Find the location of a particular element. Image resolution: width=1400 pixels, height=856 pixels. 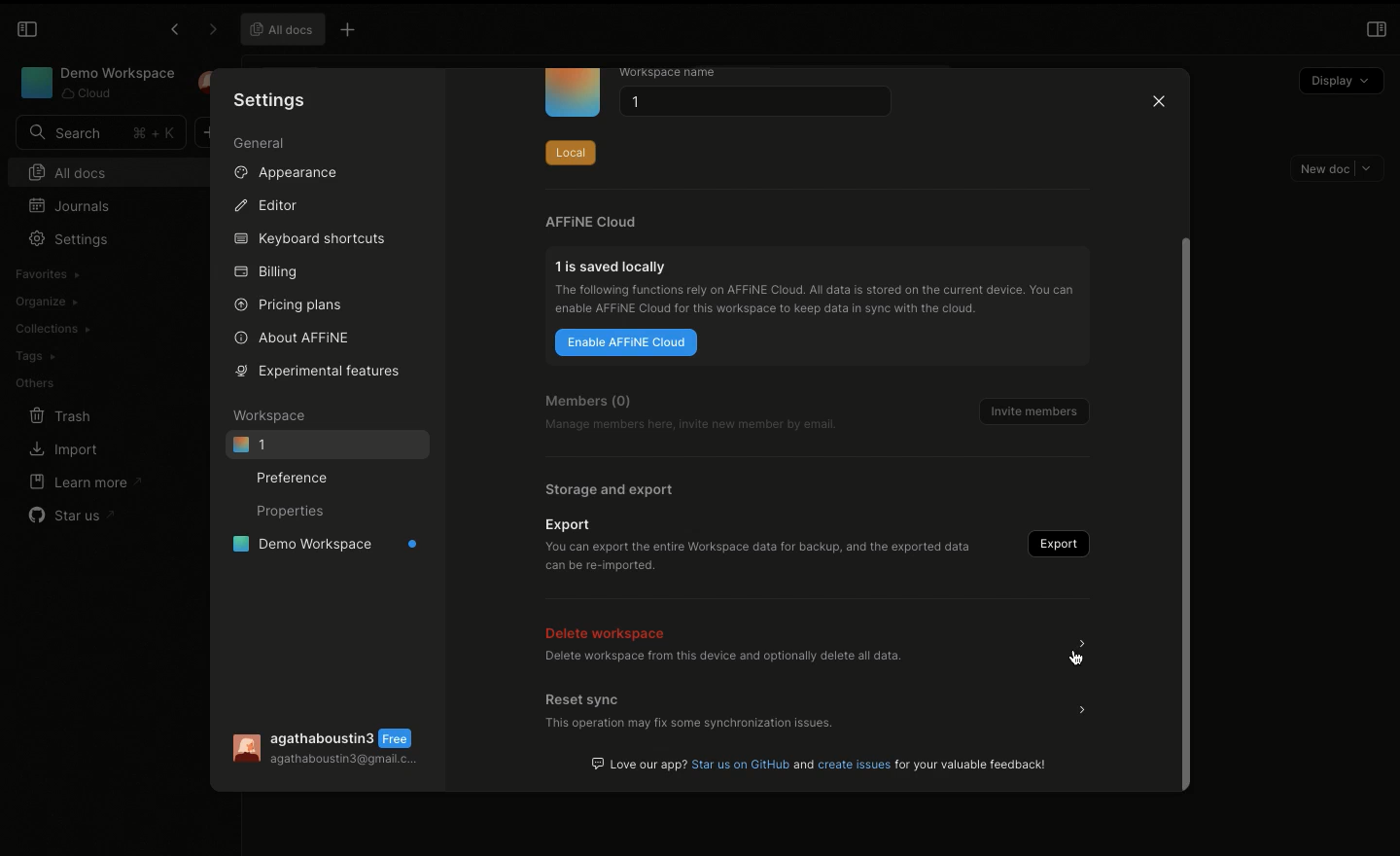

About AFFINE is located at coordinates (294, 337).